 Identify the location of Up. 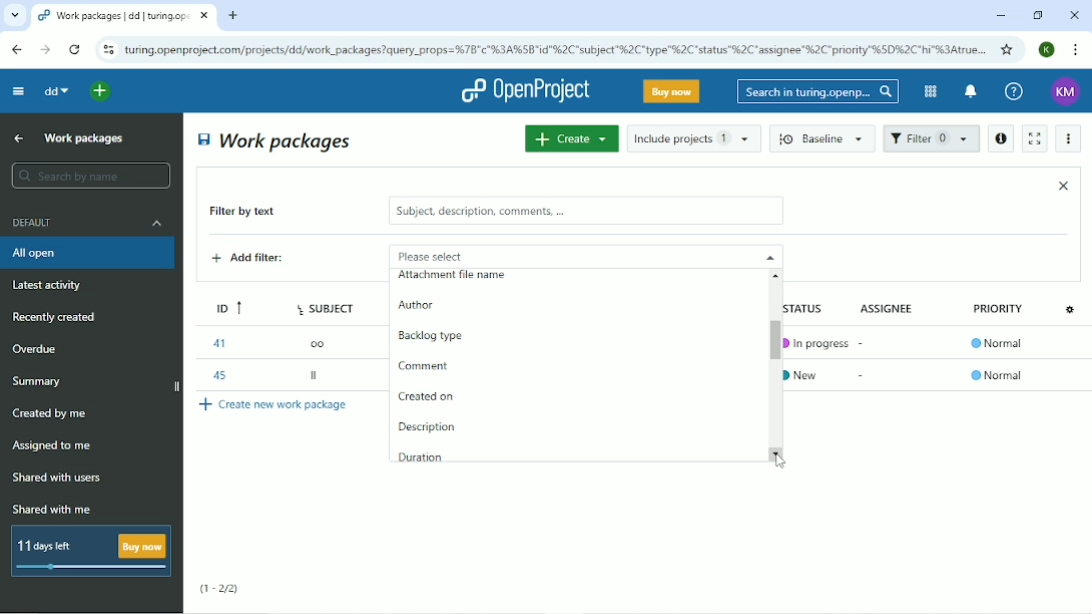
(16, 139).